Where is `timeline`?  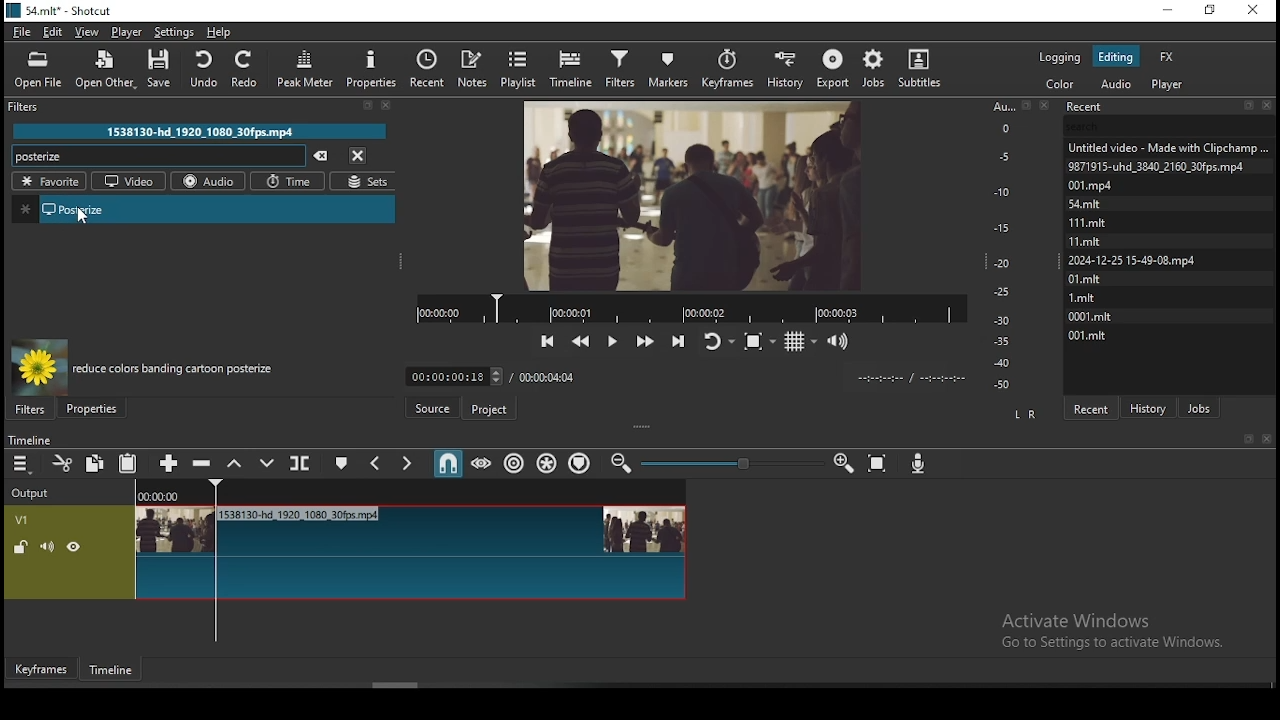
timeline is located at coordinates (115, 672).